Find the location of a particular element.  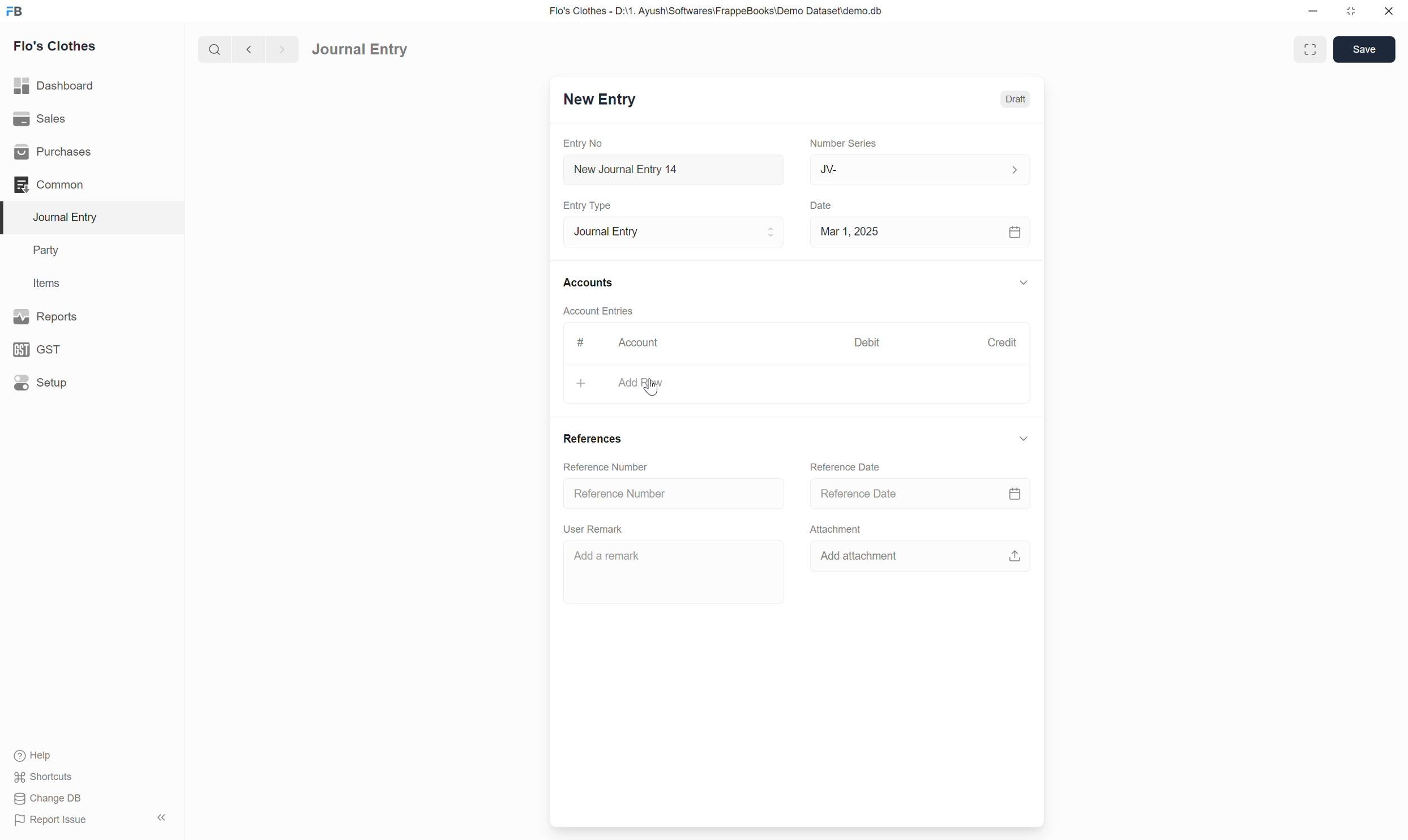

References is located at coordinates (592, 438).